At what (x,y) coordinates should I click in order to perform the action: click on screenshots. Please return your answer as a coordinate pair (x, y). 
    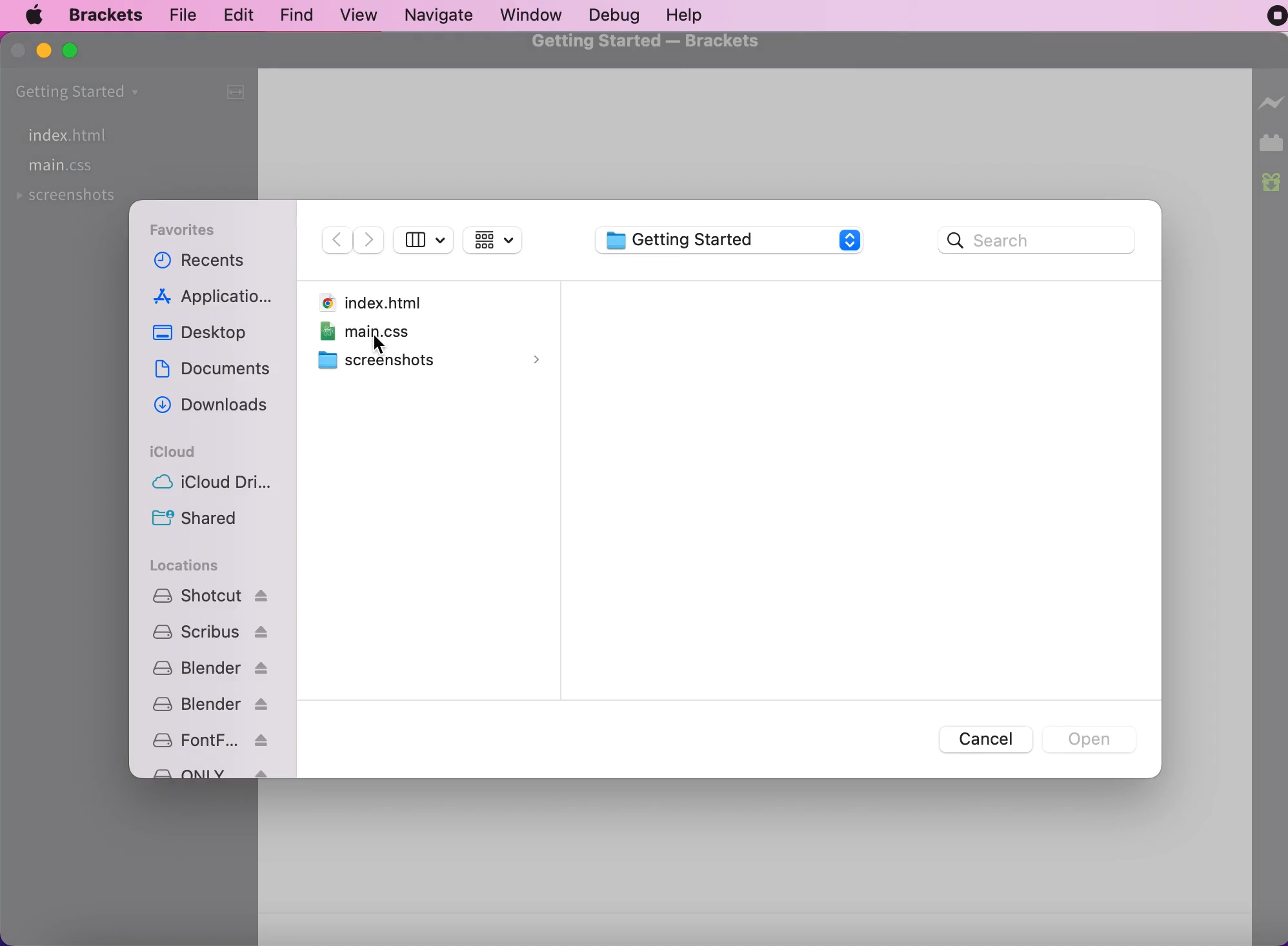
    Looking at the image, I should click on (432, 361).